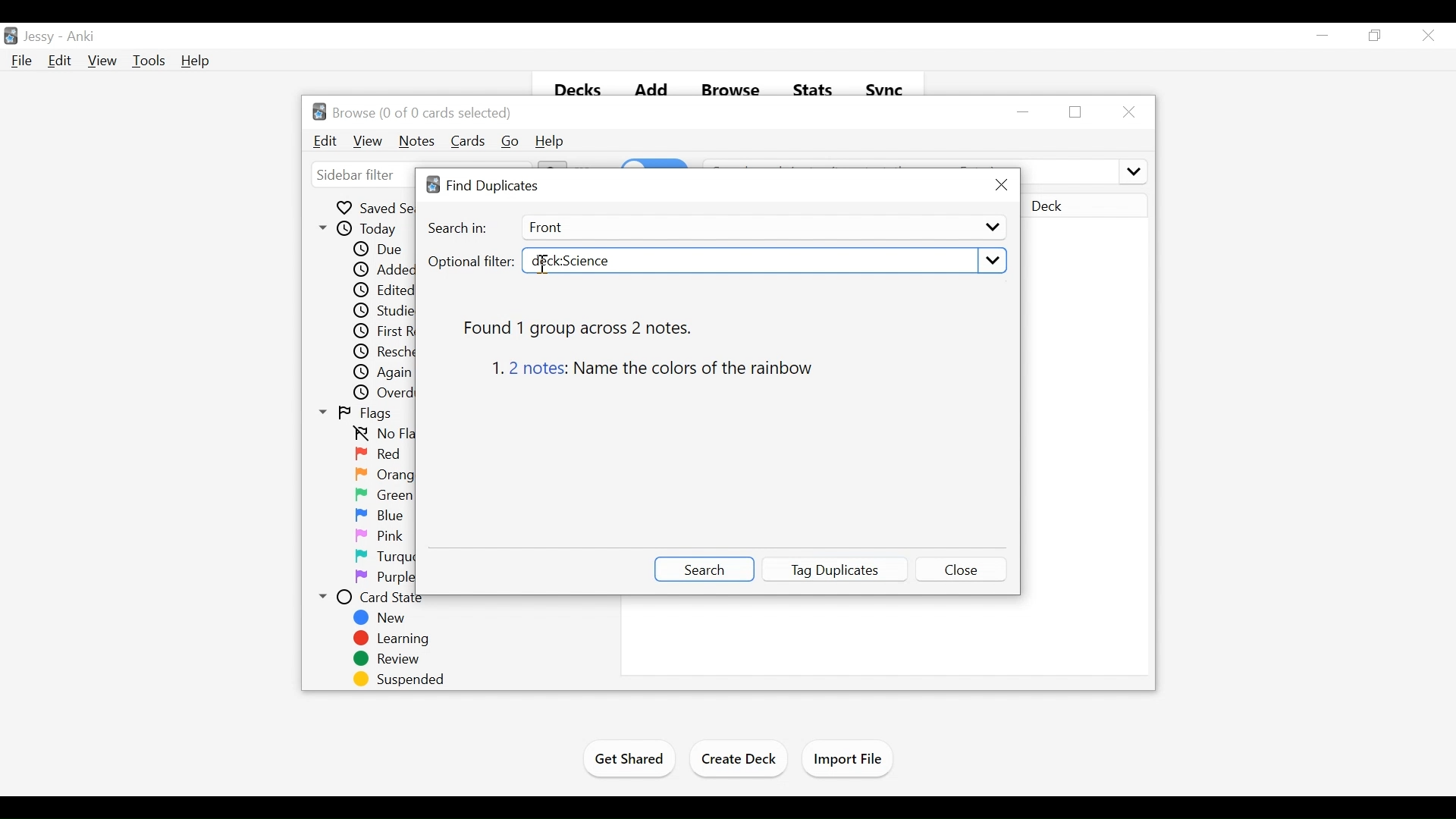  Describe the element at coordinates (847, 759) in the screenshot. I see `Import Files` at that location.